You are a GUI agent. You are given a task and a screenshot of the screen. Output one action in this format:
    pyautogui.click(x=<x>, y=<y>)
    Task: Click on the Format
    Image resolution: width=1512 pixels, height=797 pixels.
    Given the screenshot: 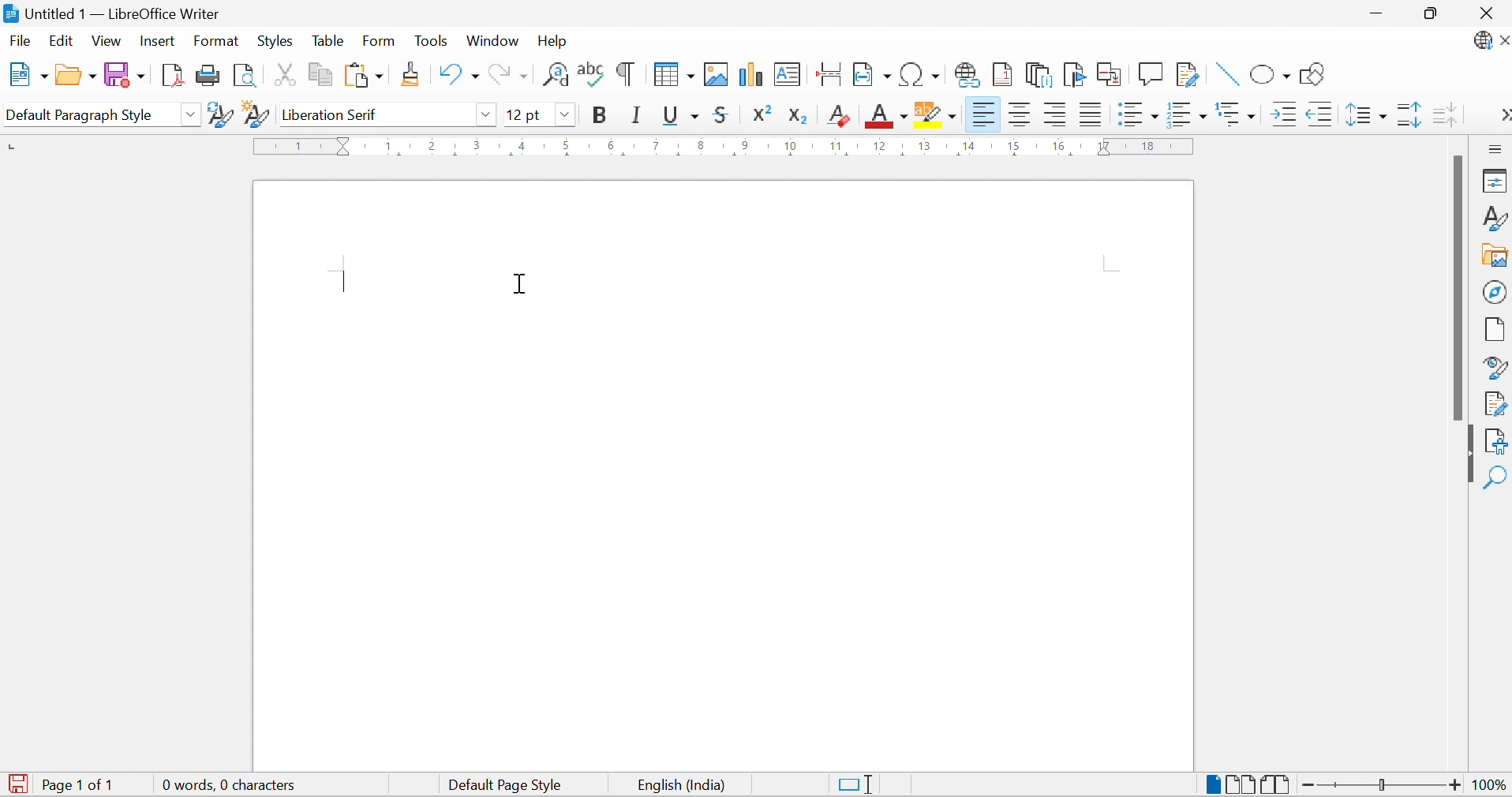 What is the action you would take?
    pyautogui.click(x=217, y=42)
    